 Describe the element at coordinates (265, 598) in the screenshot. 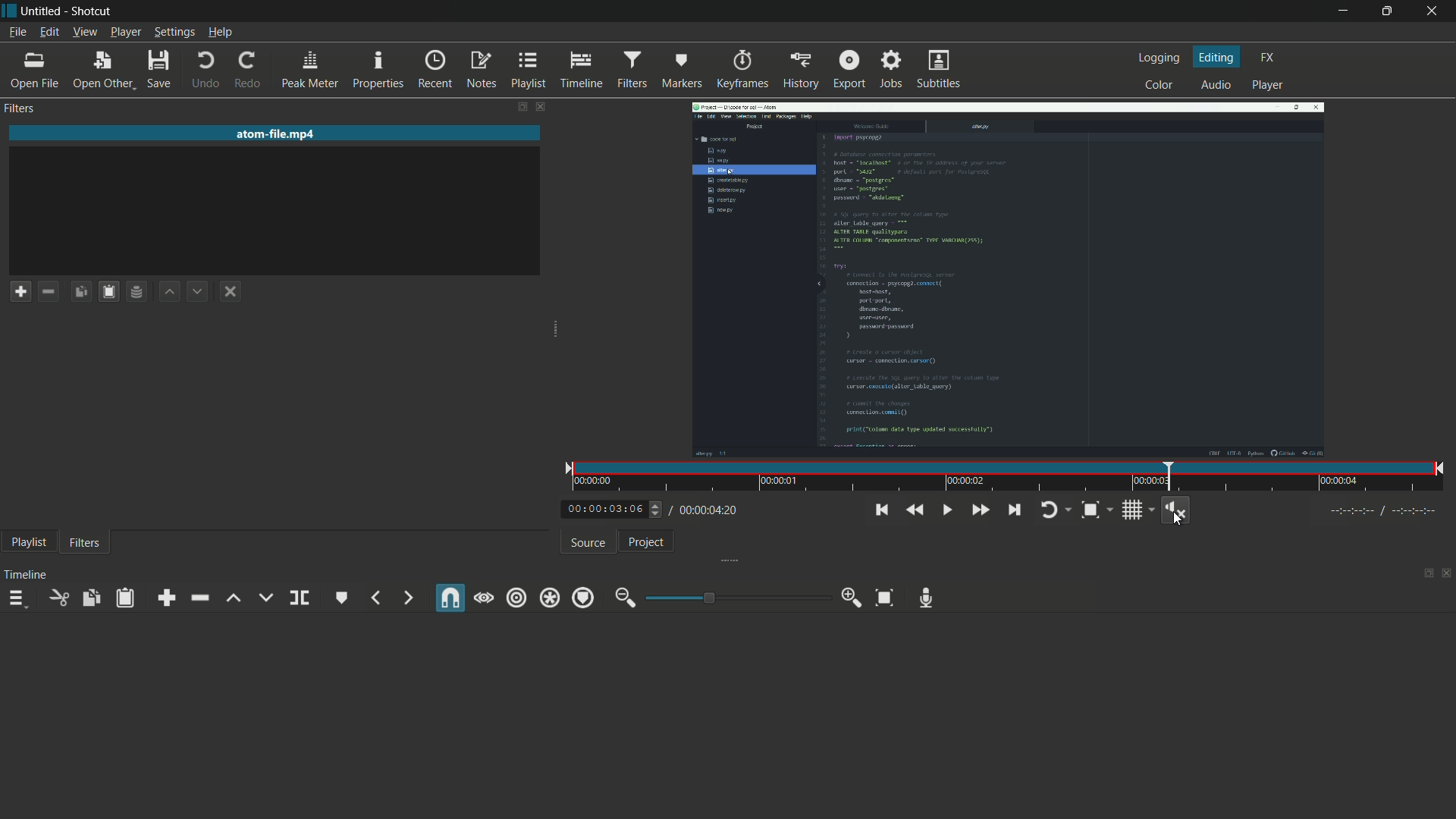

I see `overwrite` at that location.